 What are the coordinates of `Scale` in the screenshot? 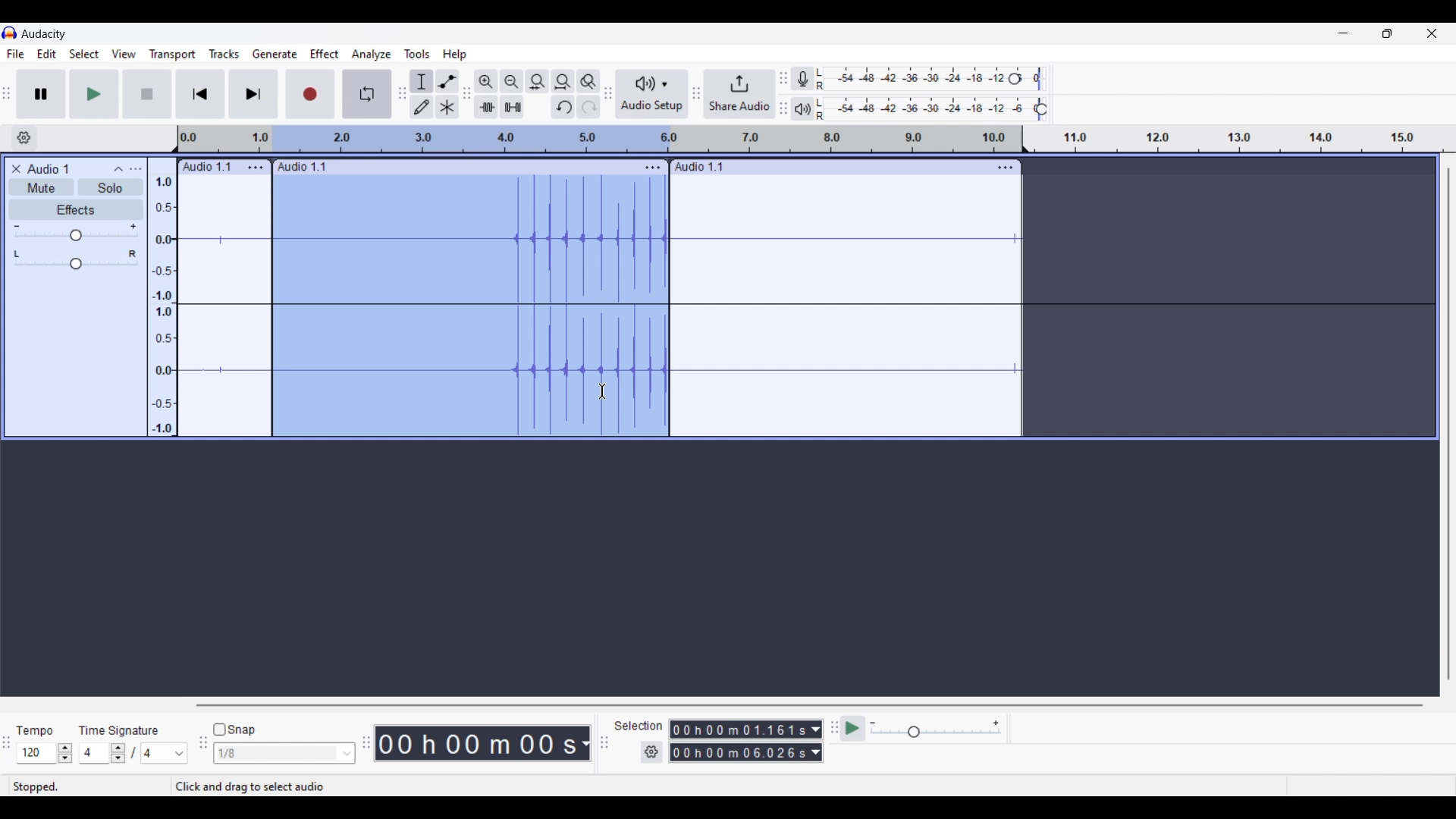 It's located at (225, 140).